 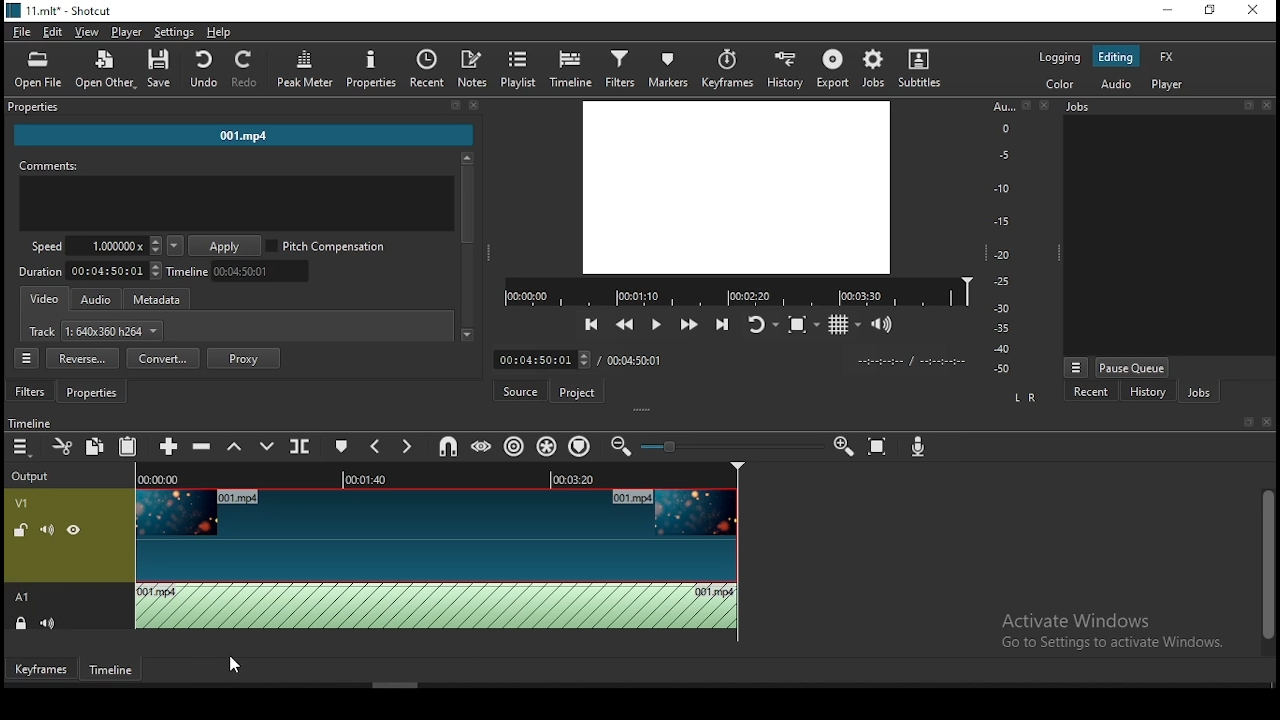 I want to click on file, so click(x=21, y=31).